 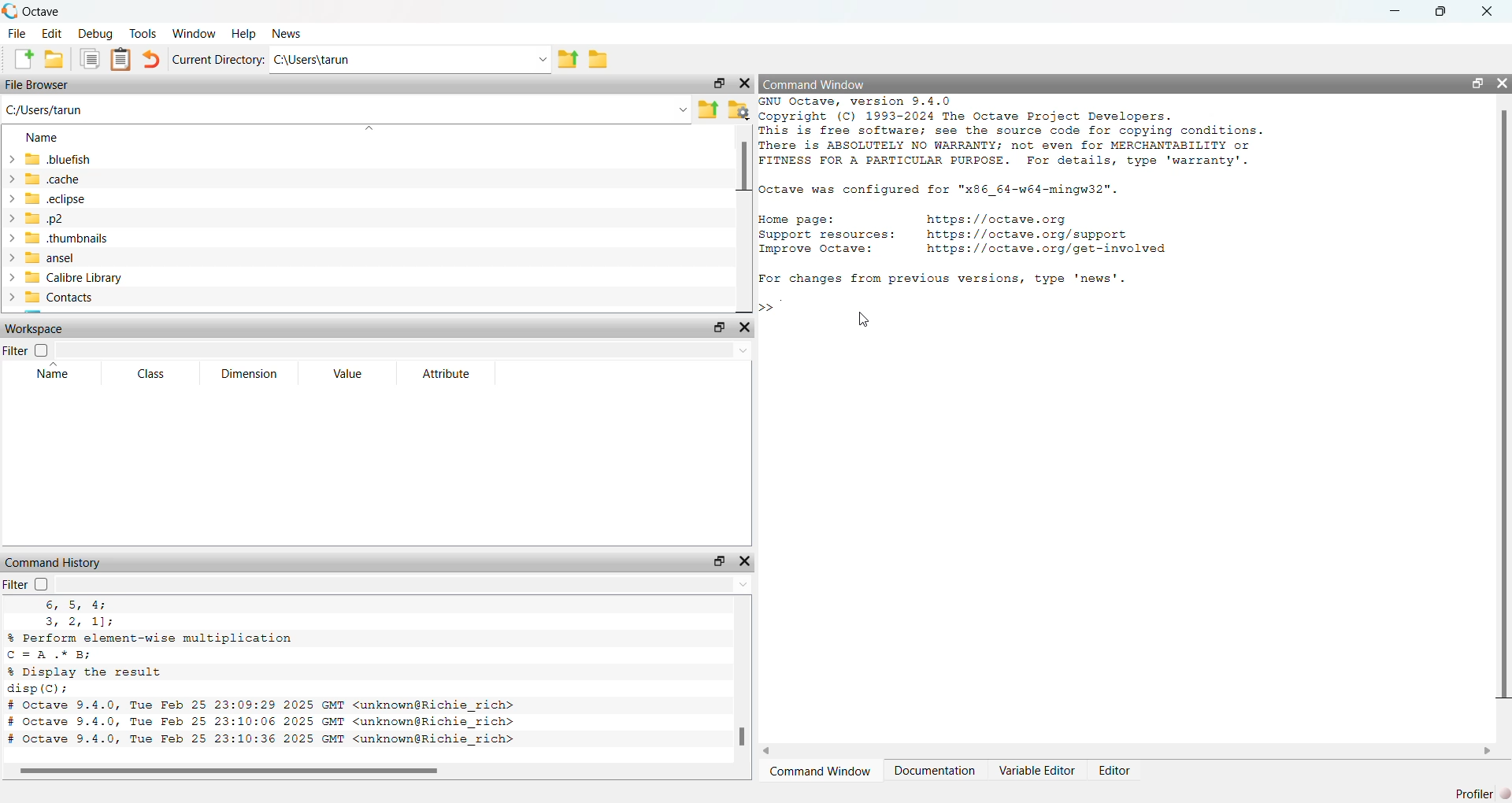 I want to click on Restore Down, so click(x=1478, y=83).